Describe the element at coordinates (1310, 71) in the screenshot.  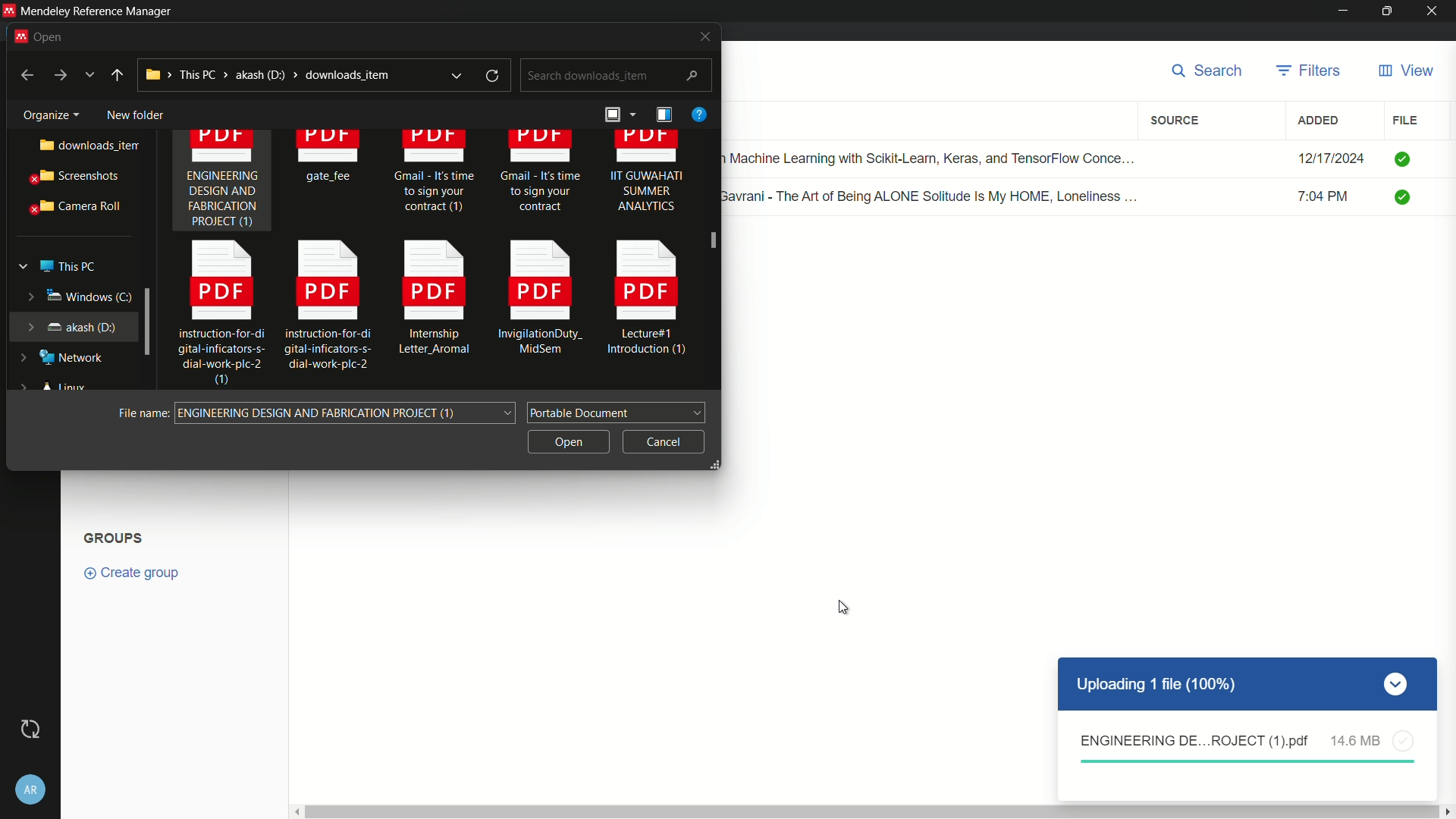
I see `filters` at that location.